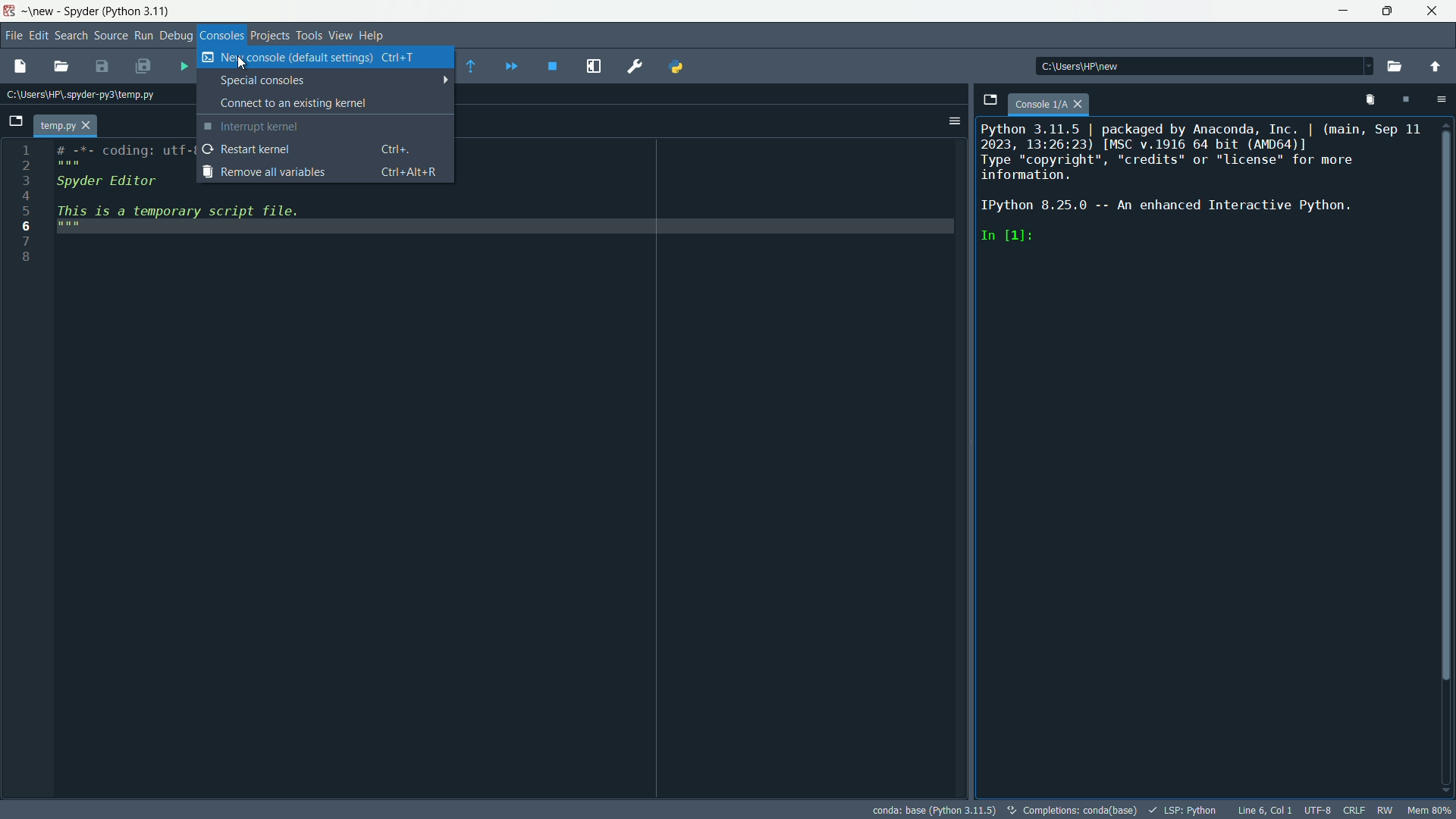  Describe the element at coordinates (61, 67) in the screenshot. I see `open file` at that location.